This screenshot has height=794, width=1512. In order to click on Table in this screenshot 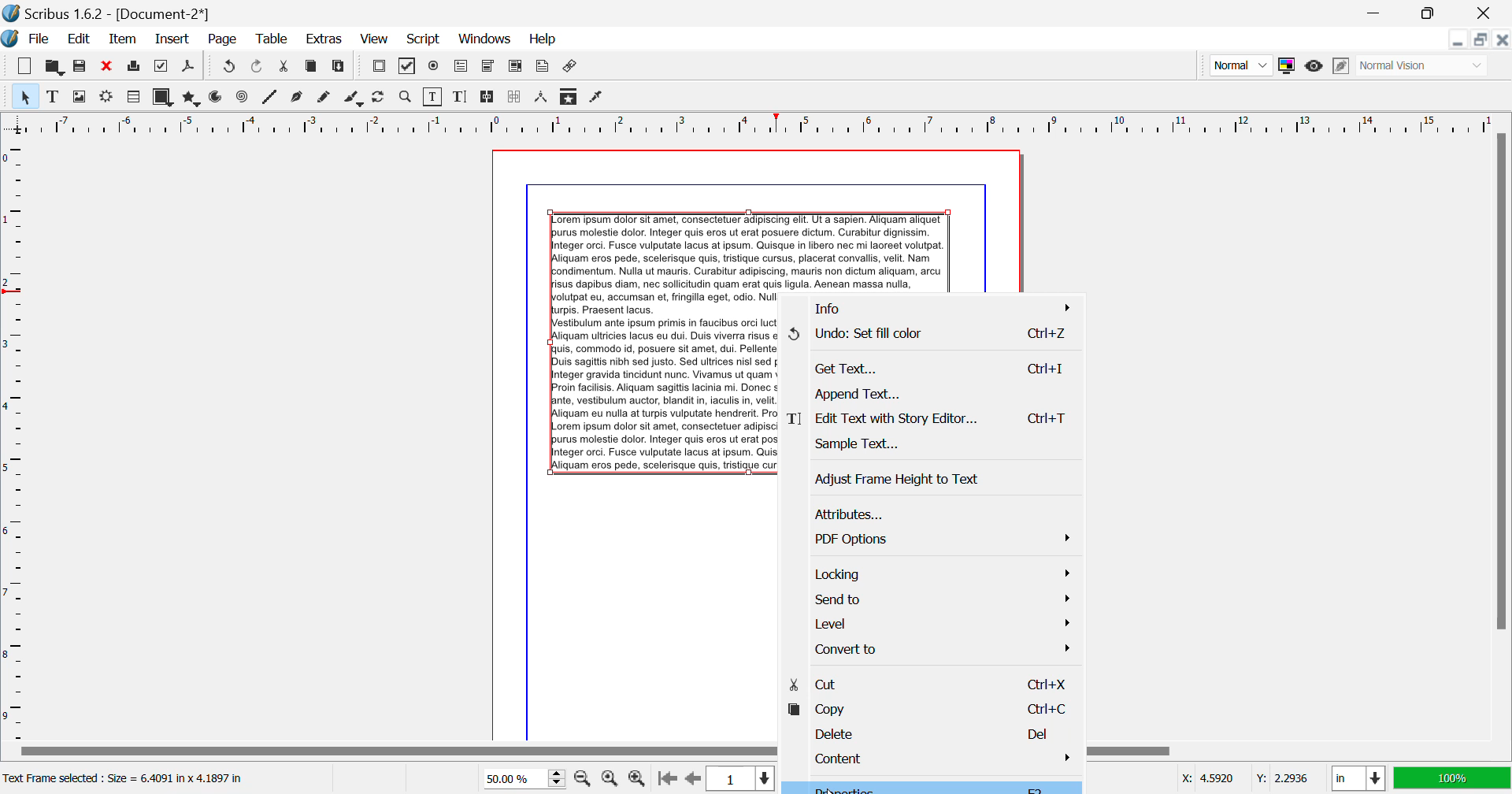, I will do `click(273, 40)`.